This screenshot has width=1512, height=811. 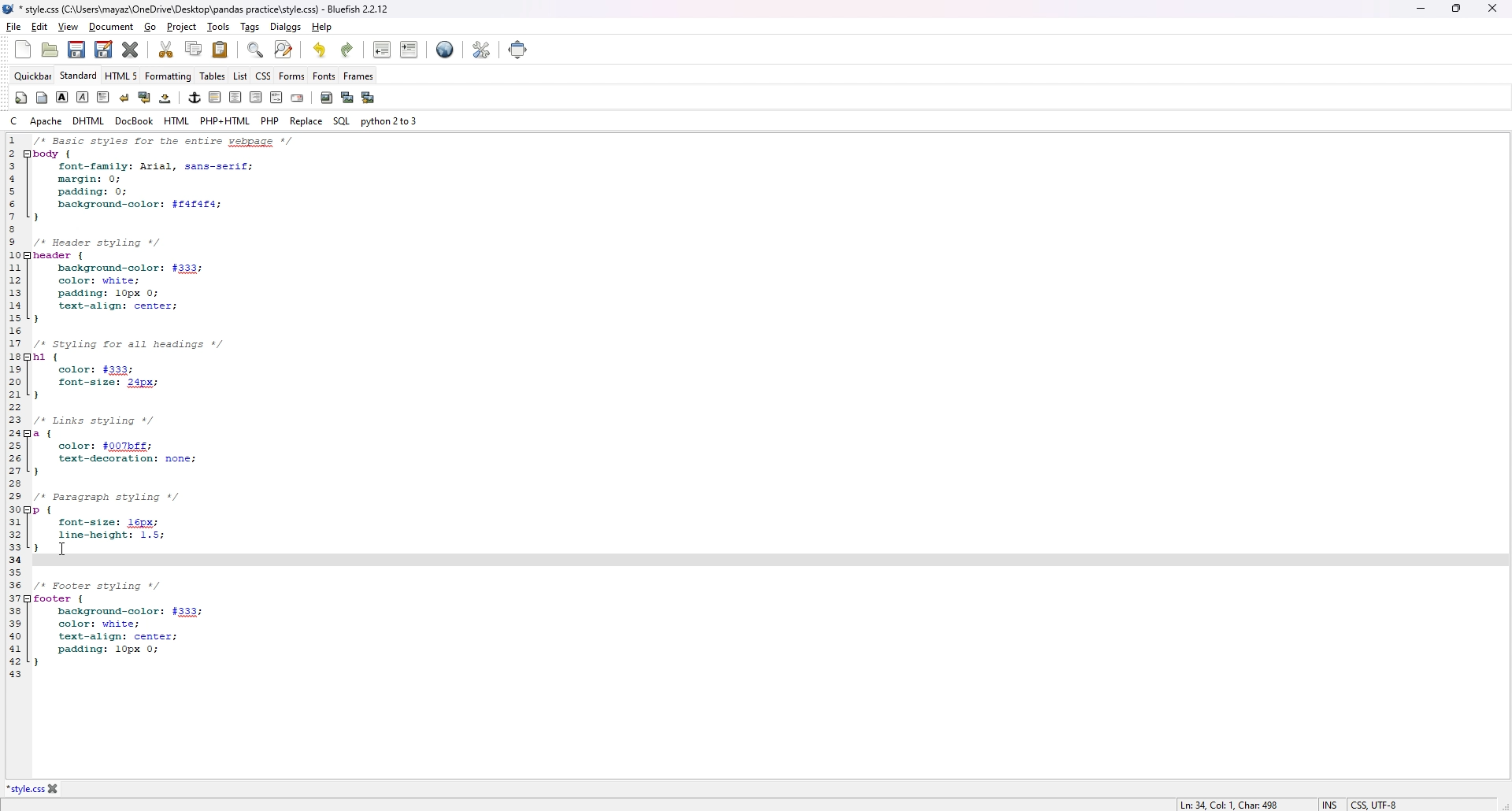 I want to click on frames, so click(x=359, y=76).